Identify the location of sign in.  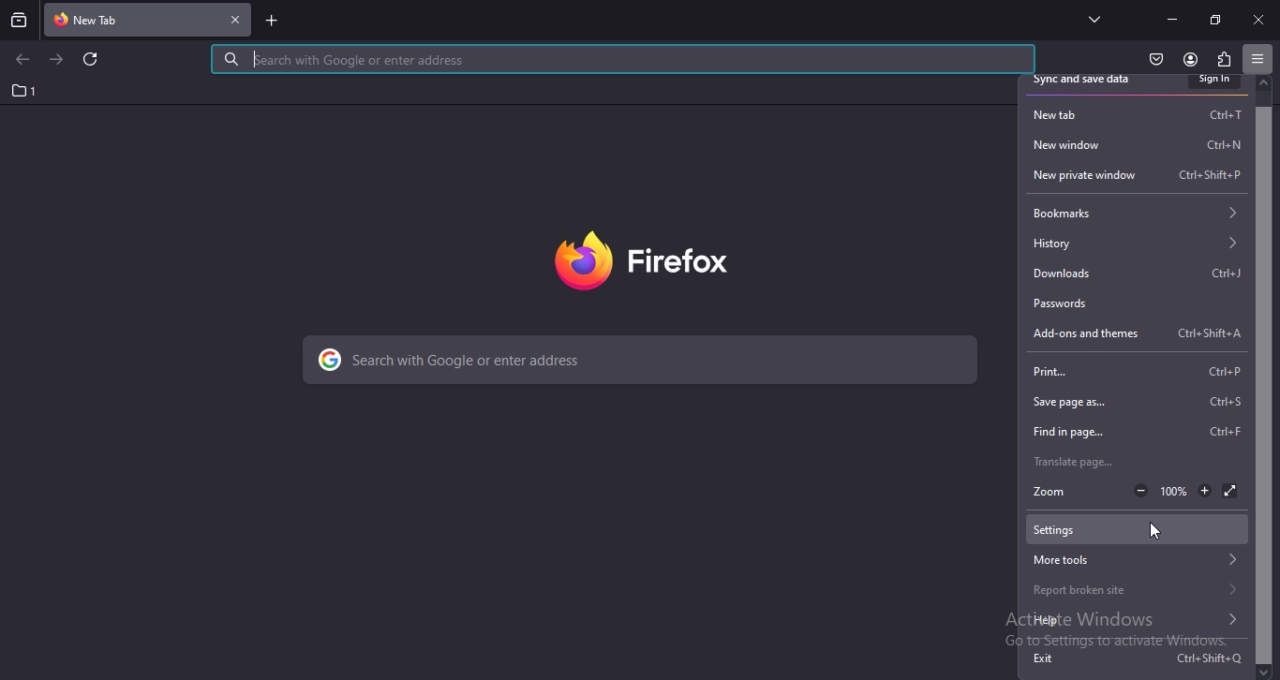
(1214, 82).